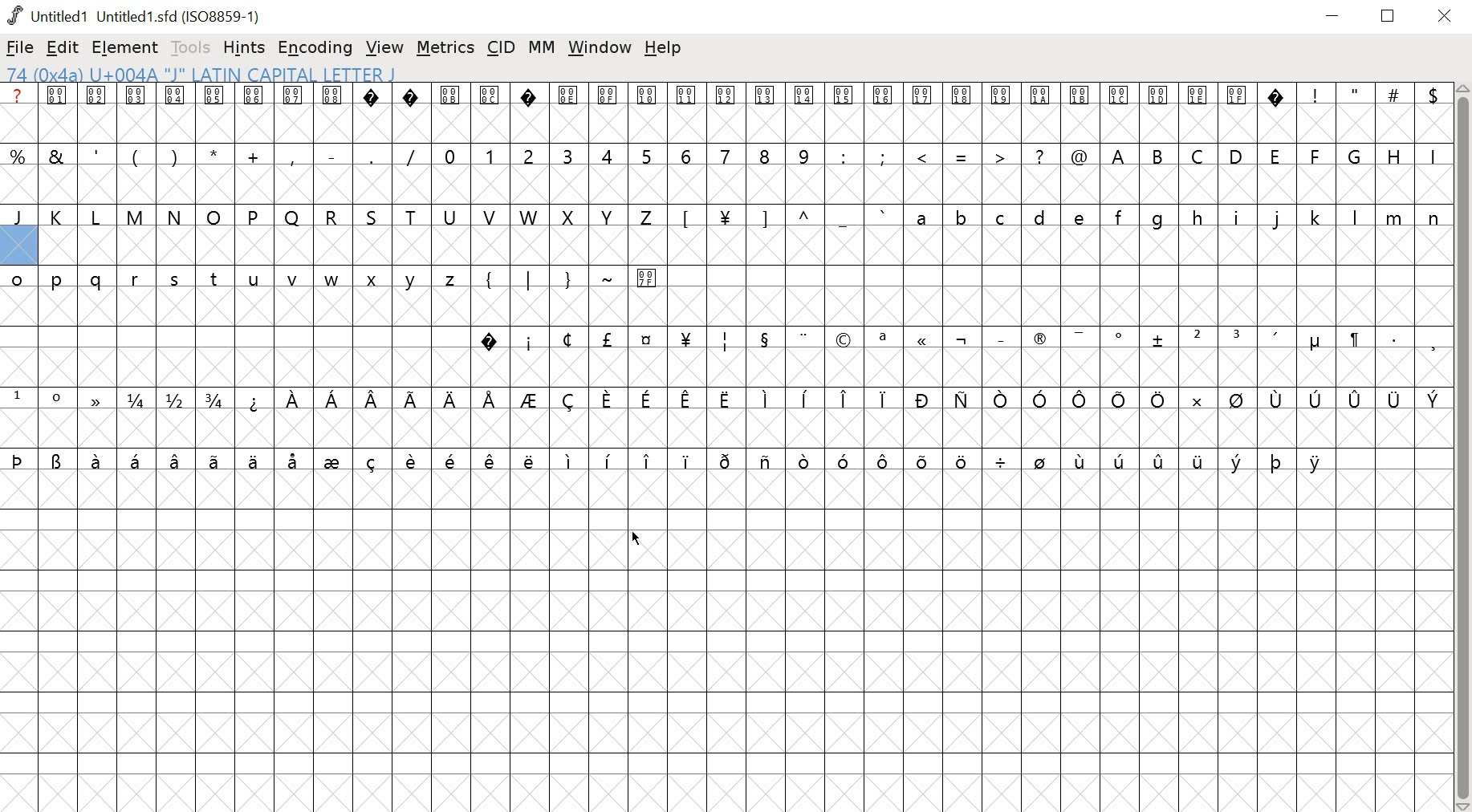  What do you see at coordinates (846, 400) in the screenshot?
I see `symbols` at bounding box center [846, 400].